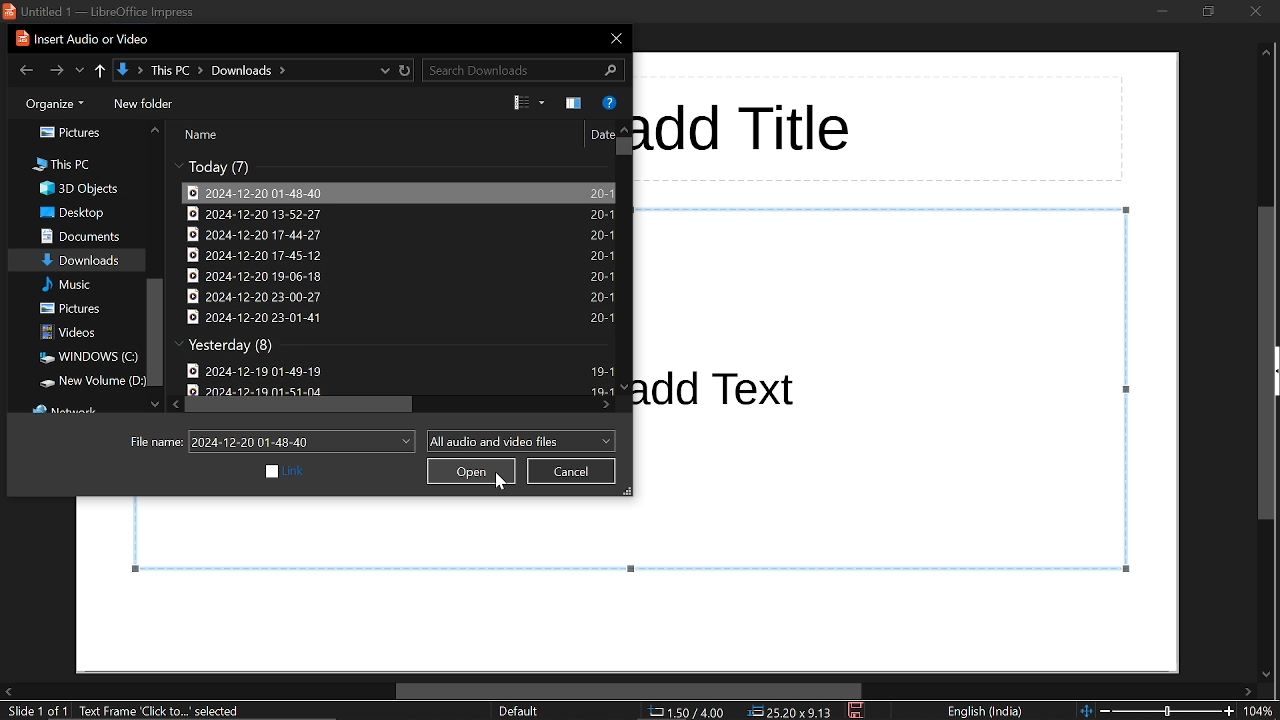 The height and width of the screenshot is (720, 1280). Describe the element at coordinates (87, 382) in the screenshot. I see `new volume (D:)` at that location.